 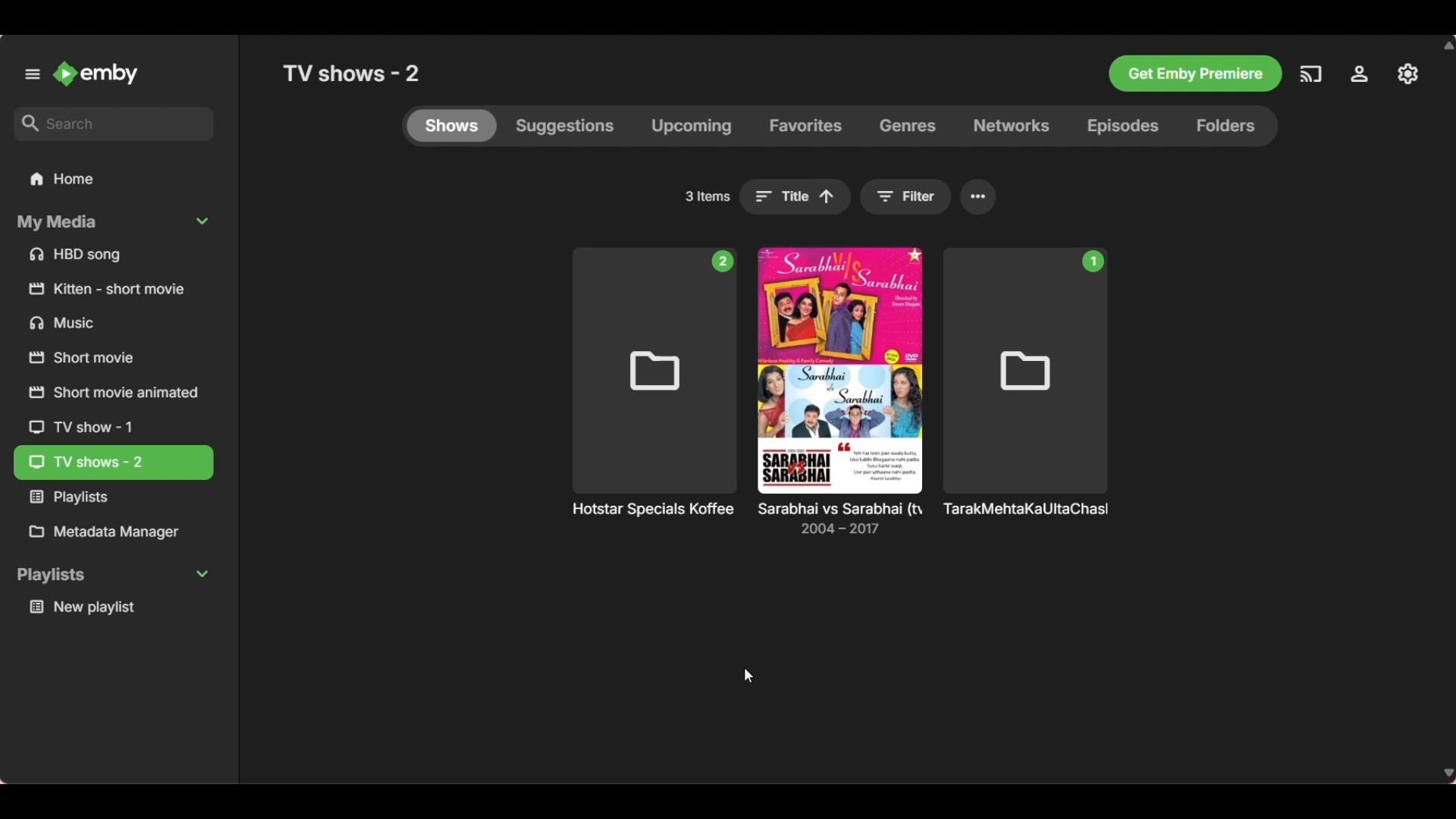 I want to click on Home folder, current selection highlighted, so click(x=113, y=180).